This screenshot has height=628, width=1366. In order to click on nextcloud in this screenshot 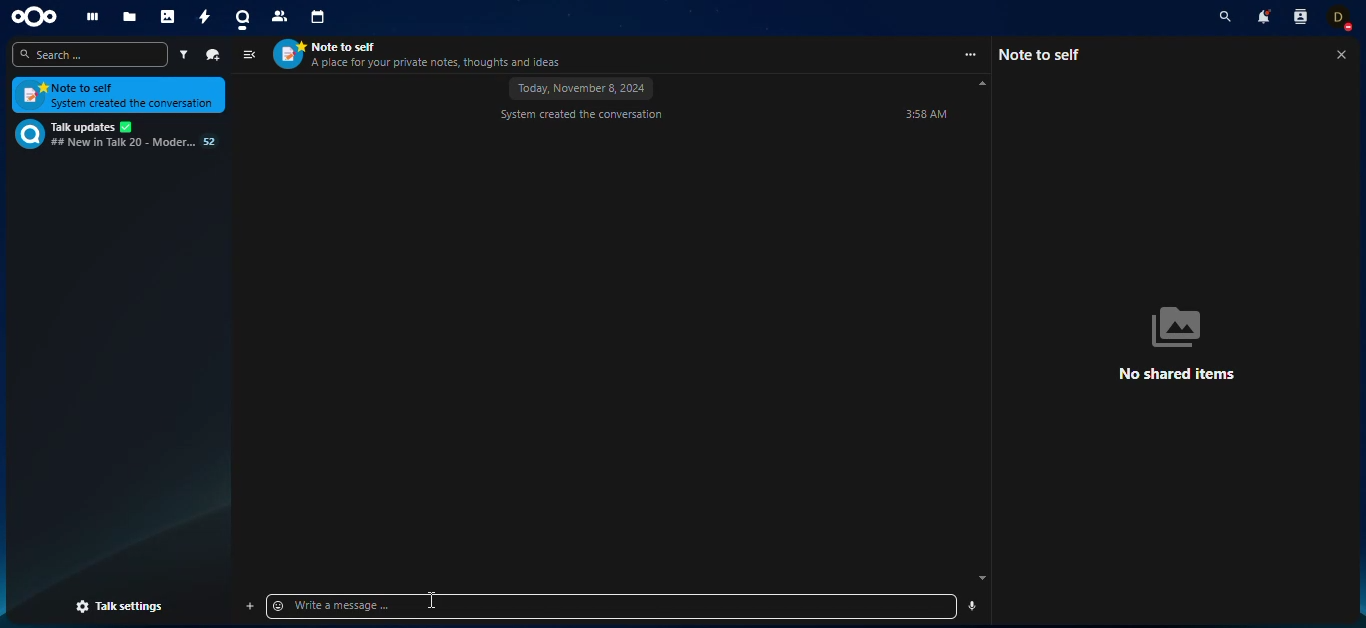, I will do `click(40, 17)`.